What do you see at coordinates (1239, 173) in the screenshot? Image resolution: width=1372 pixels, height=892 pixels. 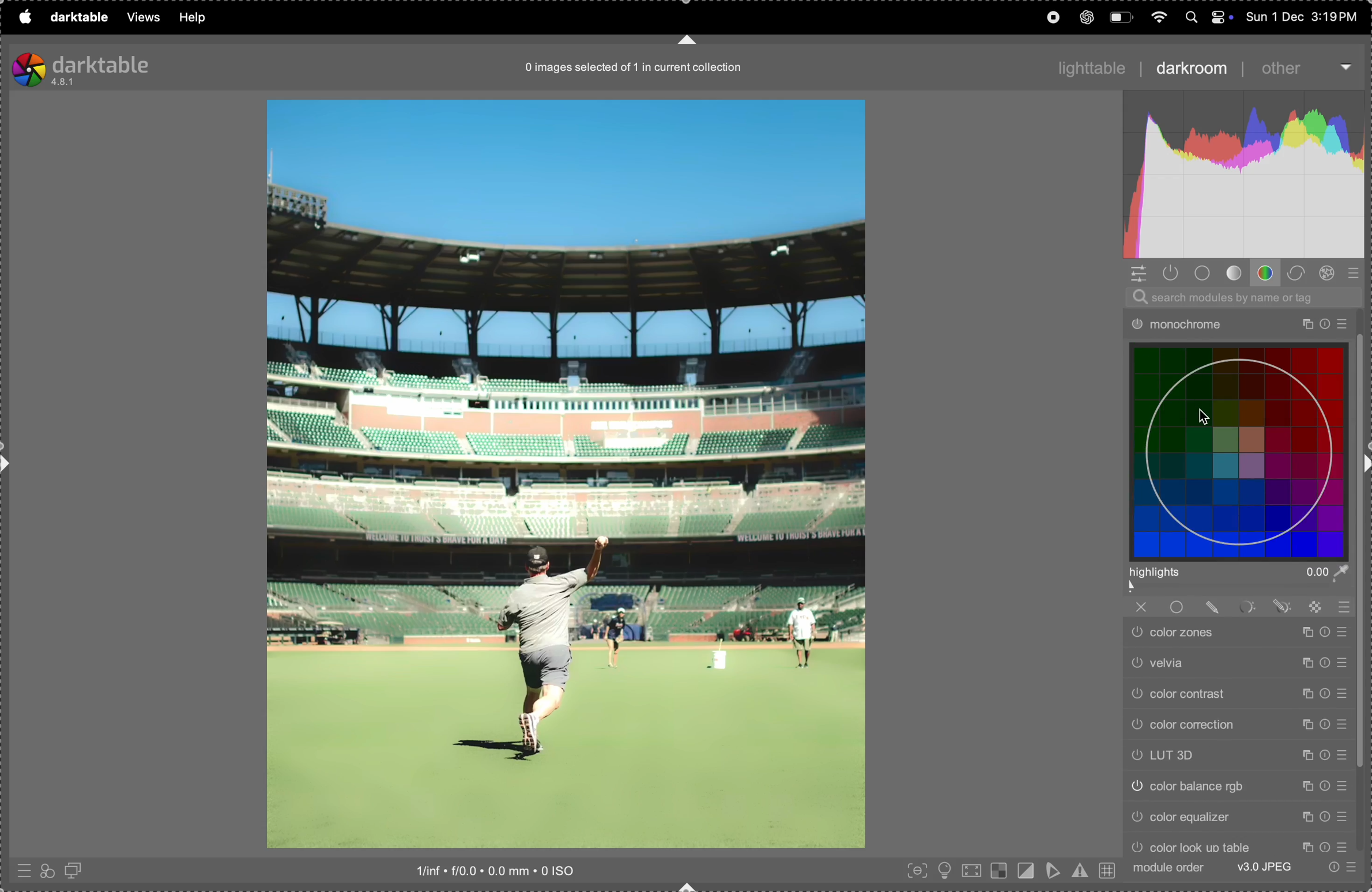 I see `histogram` at bounding box center [1239, 173].